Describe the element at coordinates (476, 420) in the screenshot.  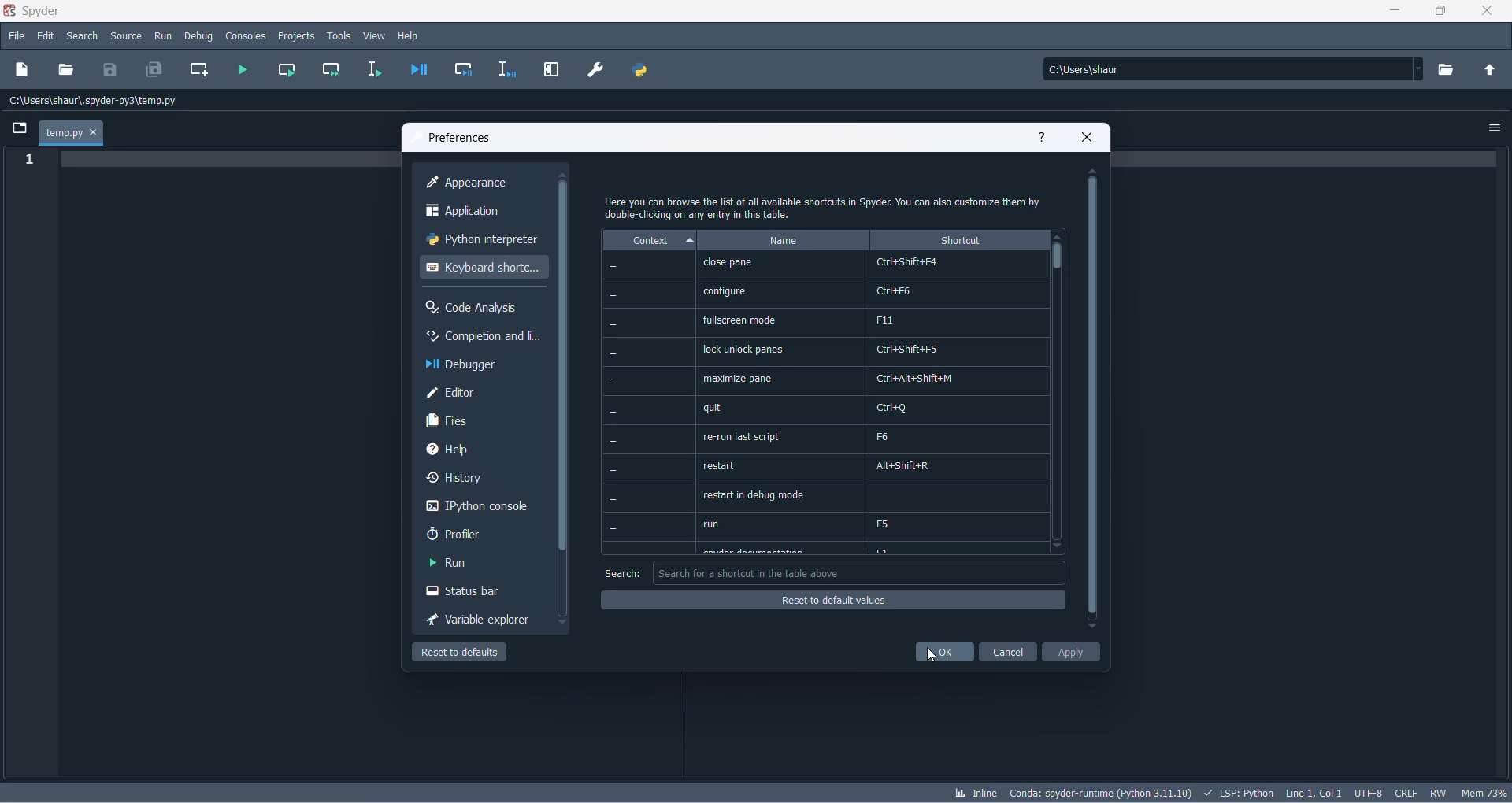
I see `files` at that location.